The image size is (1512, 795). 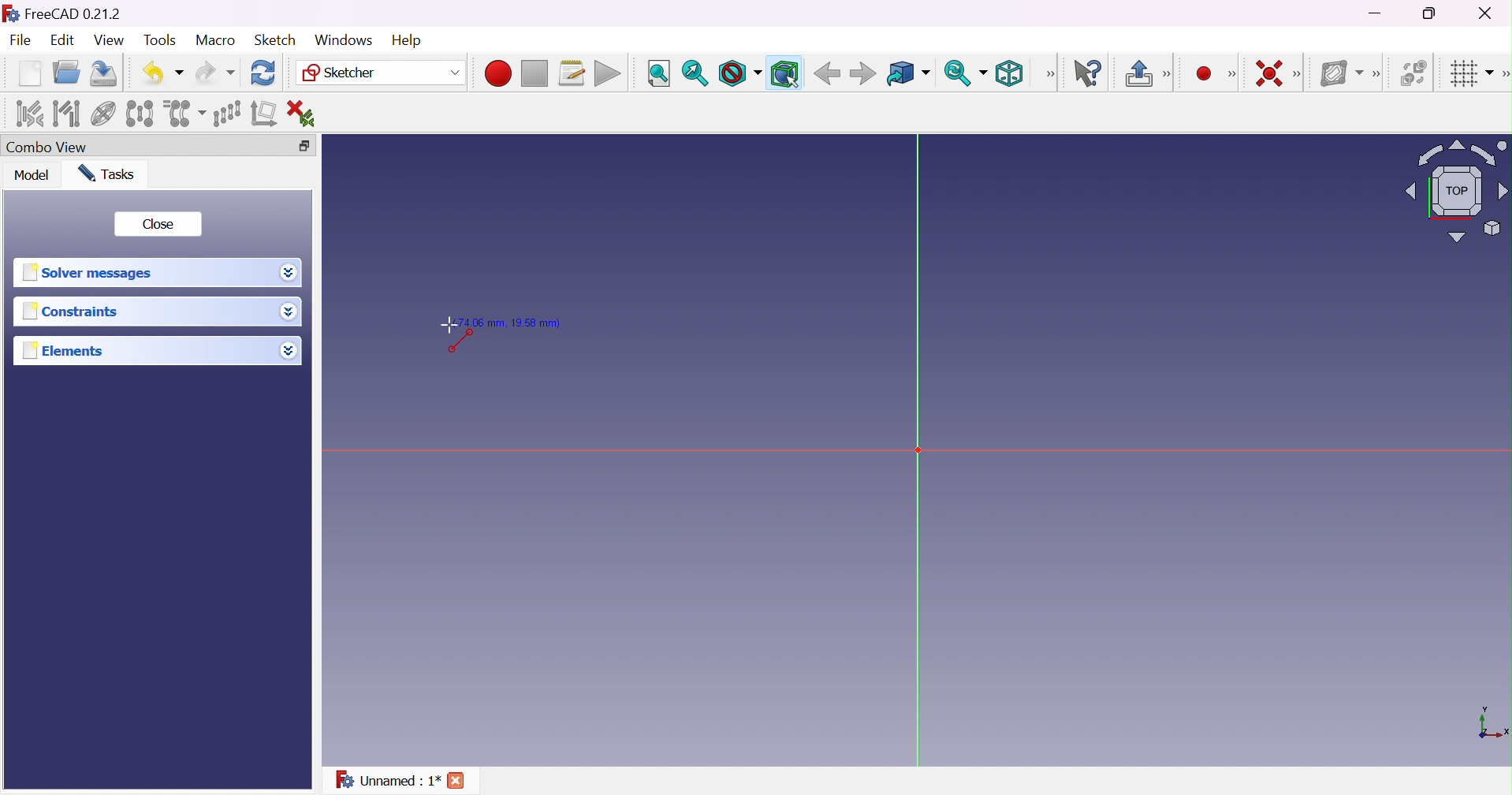 What do you see at coordinates (70, 313) in the screenshot?
I see `Constraints` at bounding box center [70, 313].